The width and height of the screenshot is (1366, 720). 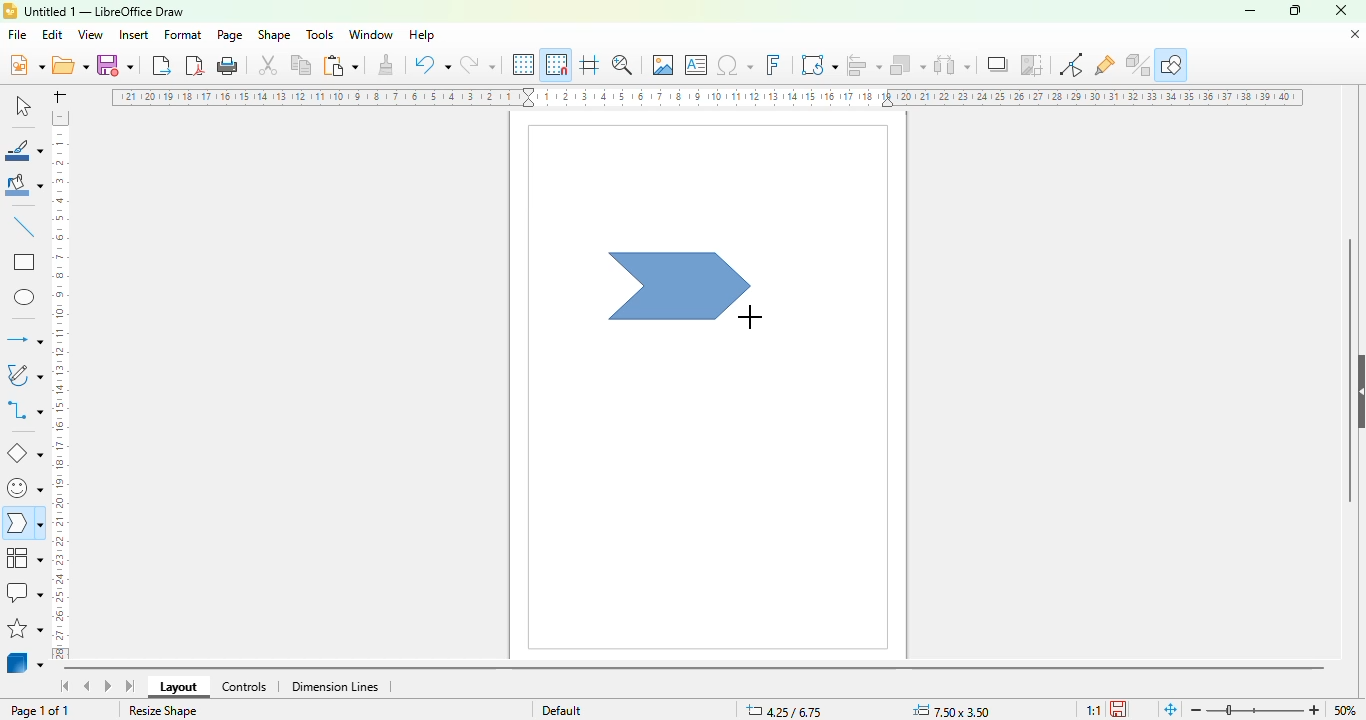 I want to click on block arrows, so click(x=23, y=525).